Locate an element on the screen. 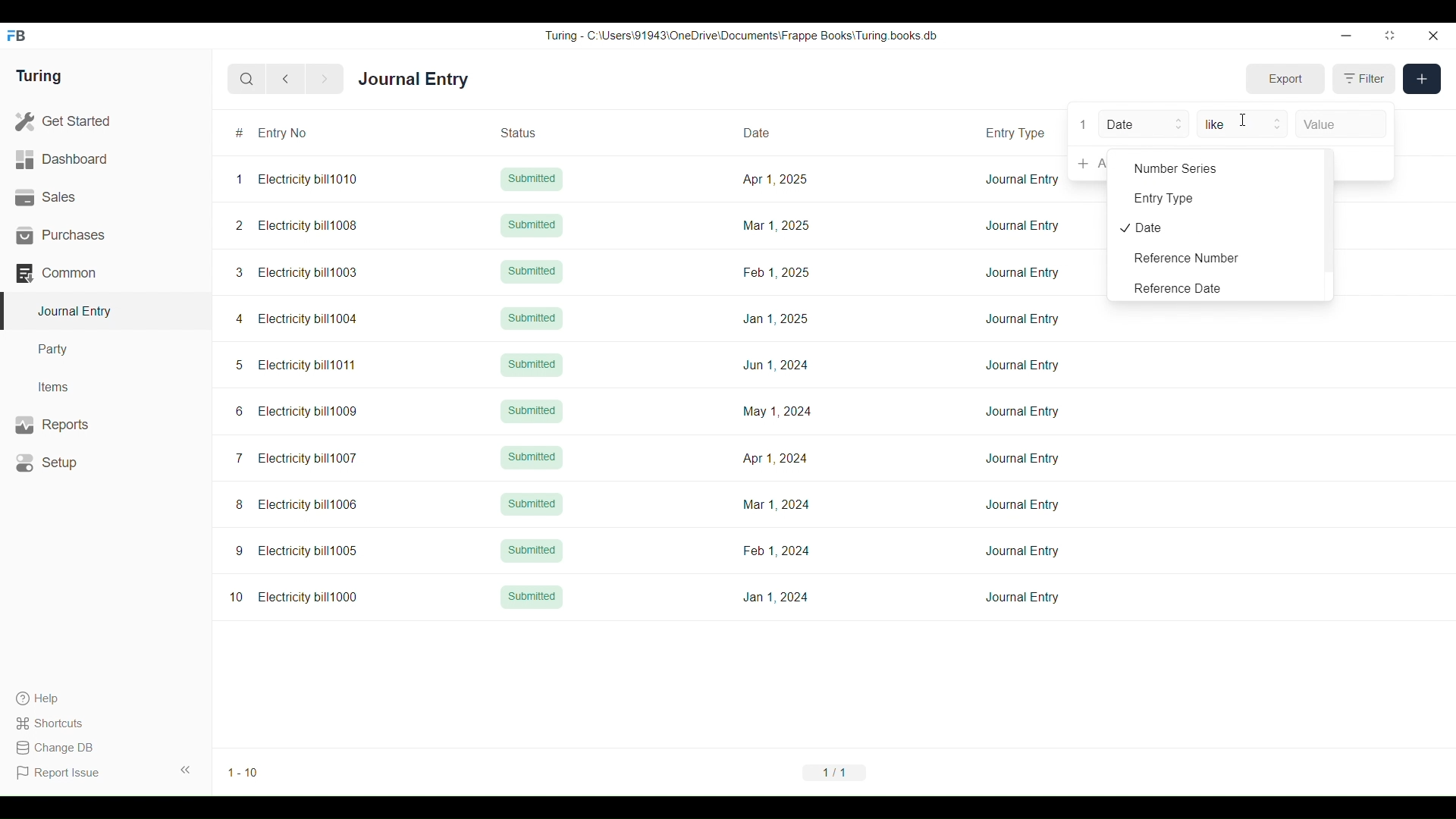 This screenshot has height=819, width=1456. Shortcuts is located at coordinates (58, 723).